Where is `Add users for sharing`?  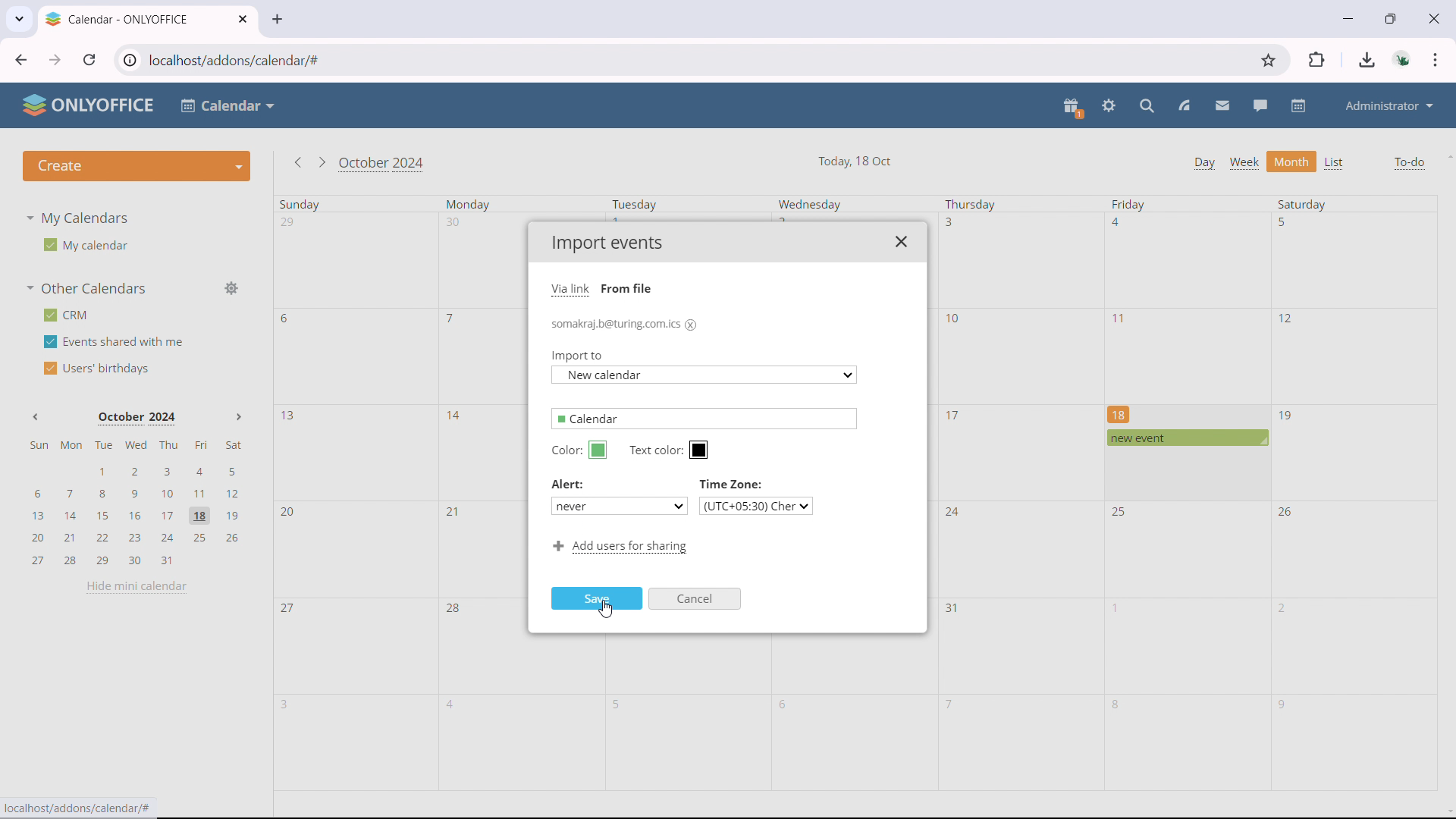 Add users for sharing is located at coordinates (617, 549).